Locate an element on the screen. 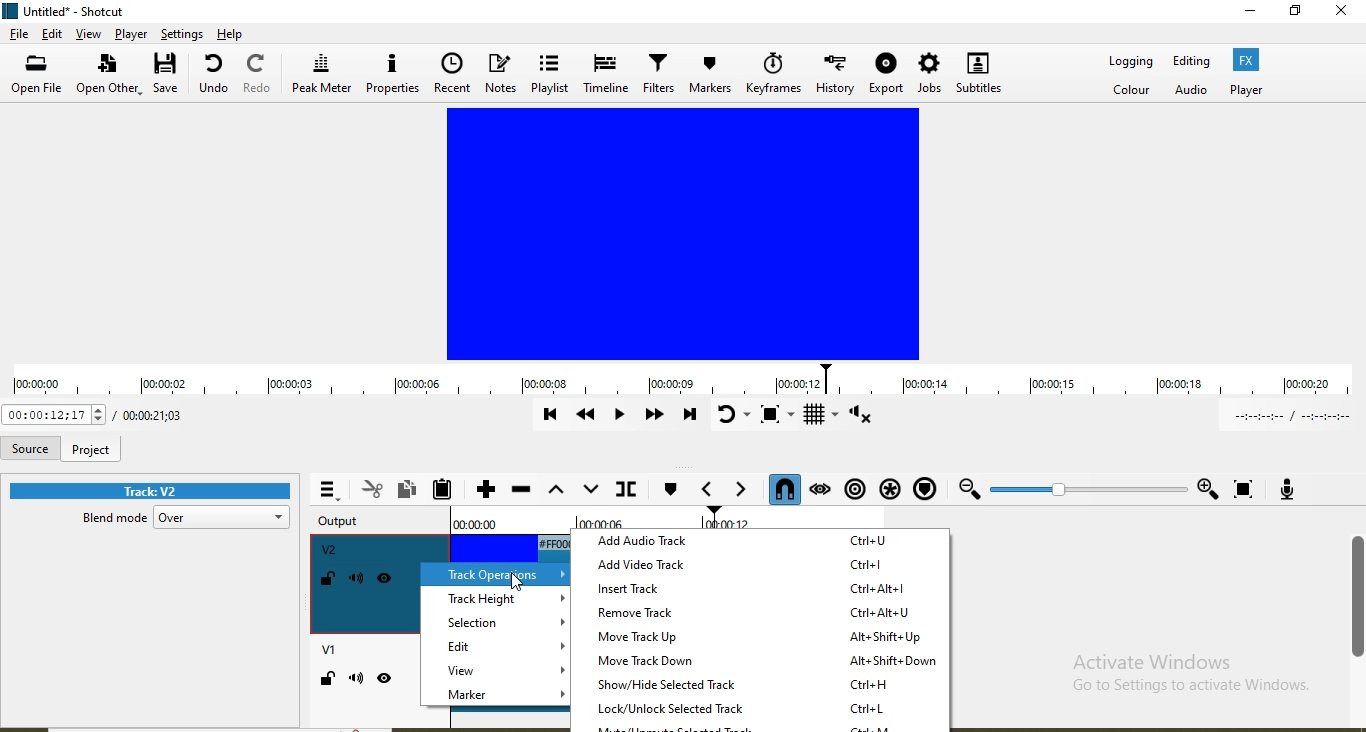 The image size is (1366, 732). Mute is located at coordinates (358, 579).